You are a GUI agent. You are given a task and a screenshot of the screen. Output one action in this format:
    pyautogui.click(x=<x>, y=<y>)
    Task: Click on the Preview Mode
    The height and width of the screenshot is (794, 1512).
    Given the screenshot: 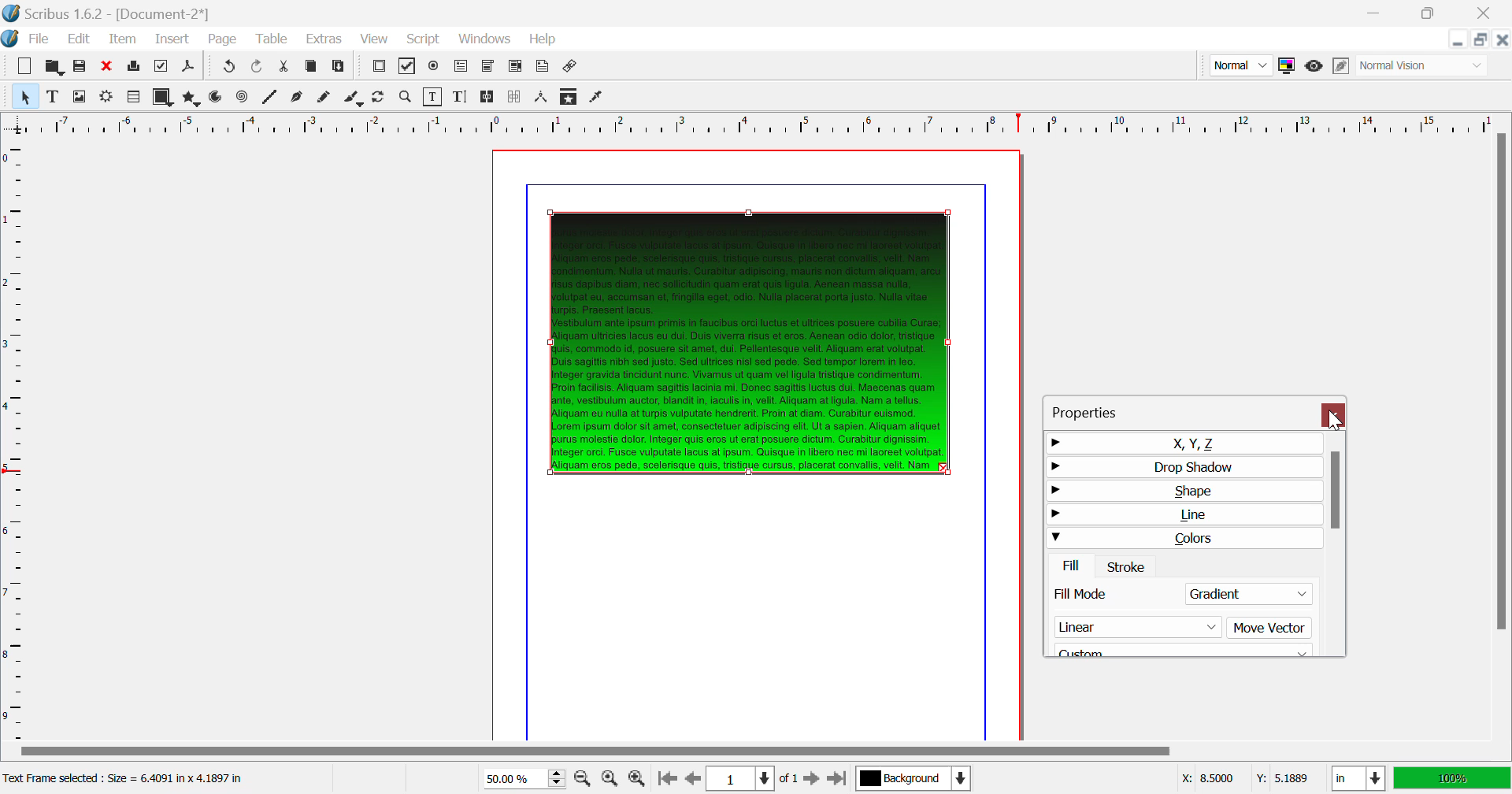 What is the action you would take?
    pyautogui.click(x=1240, y=65)
    